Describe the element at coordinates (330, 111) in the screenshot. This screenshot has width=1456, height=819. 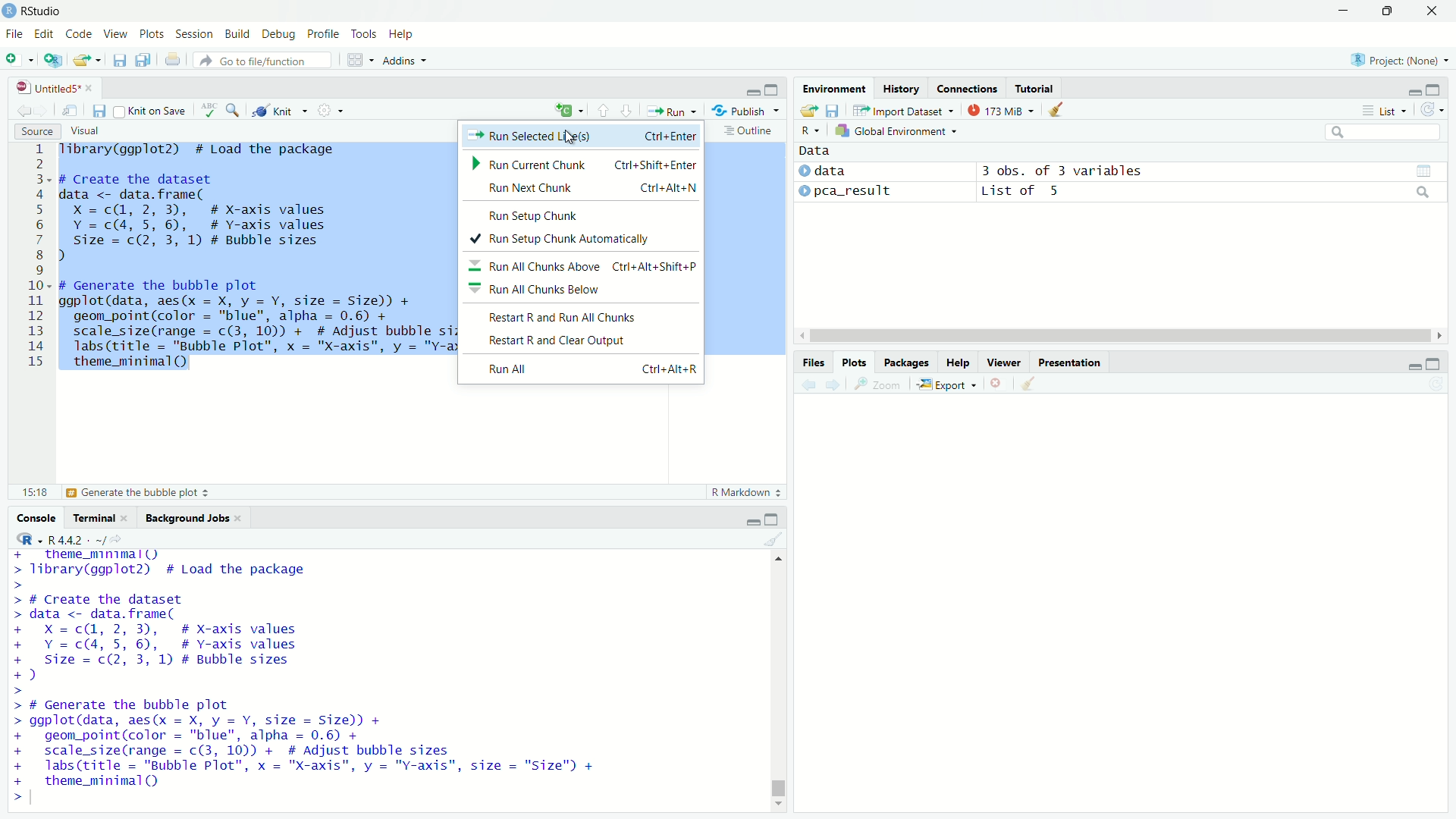
I see `settings` at that location.